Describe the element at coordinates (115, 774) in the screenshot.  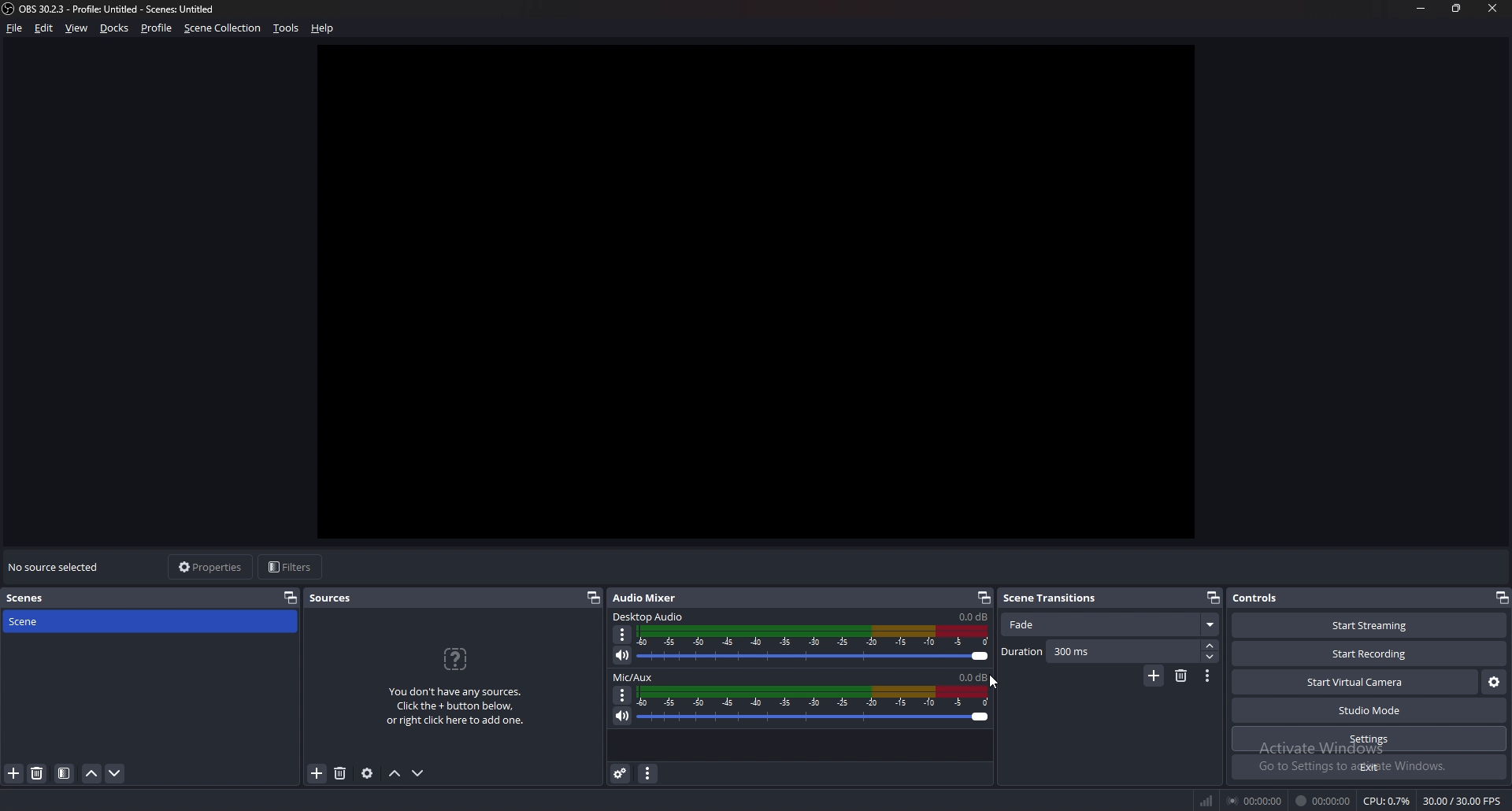
I see `move scene down` at that location.